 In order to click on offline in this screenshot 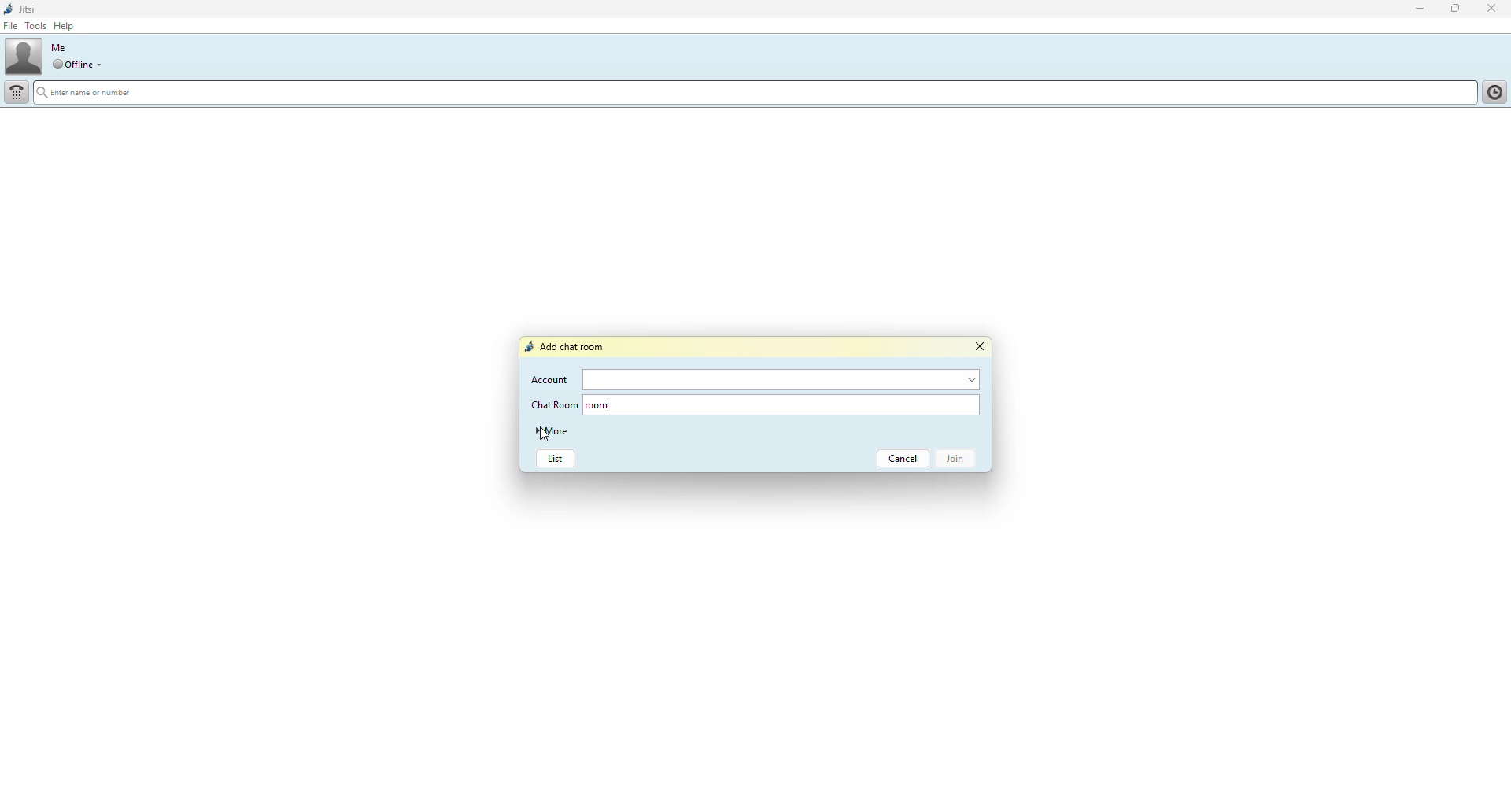, I will do `click(72, 65)`.